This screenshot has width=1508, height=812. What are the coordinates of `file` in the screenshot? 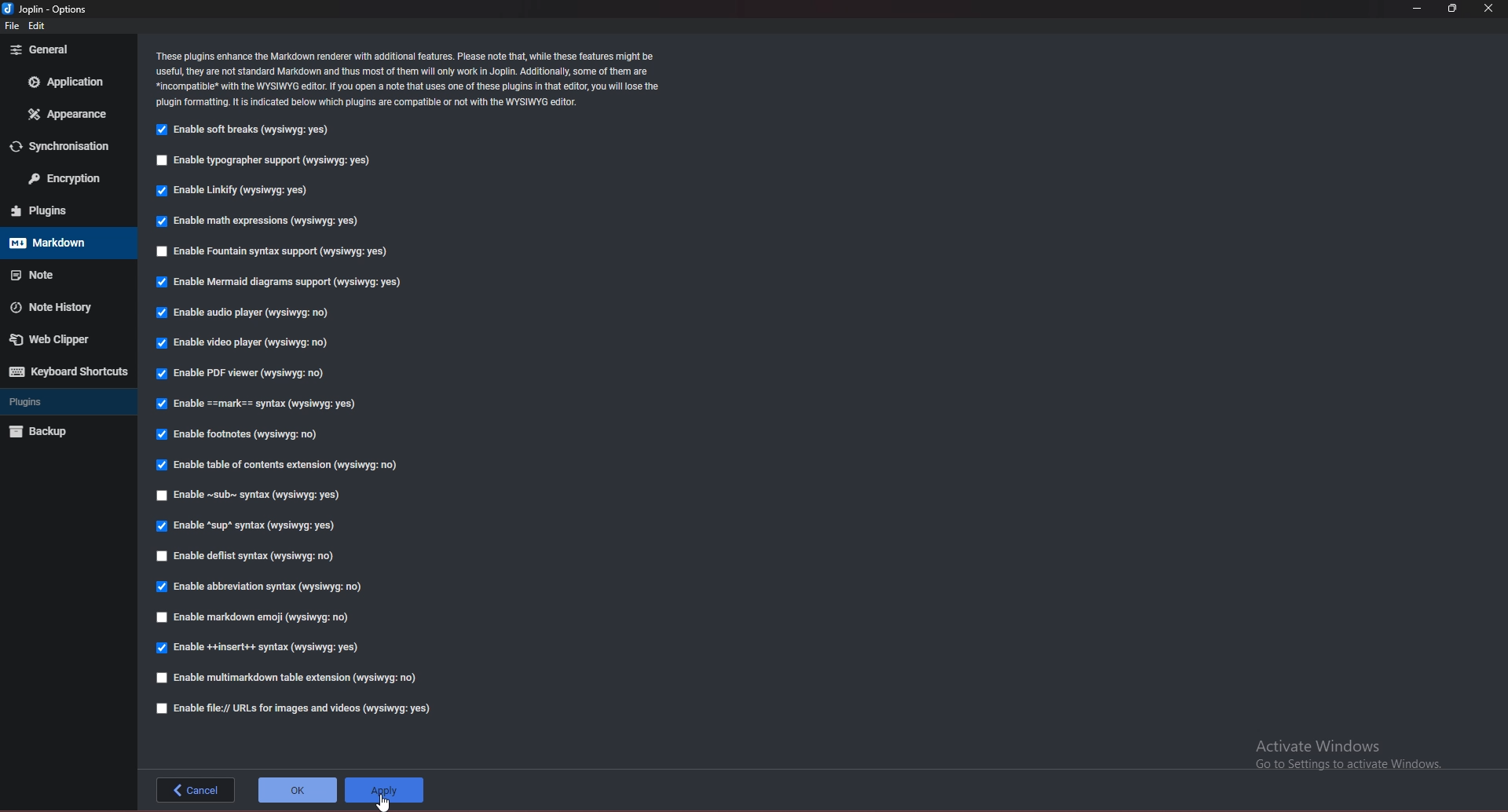 It's located at (11, 27).